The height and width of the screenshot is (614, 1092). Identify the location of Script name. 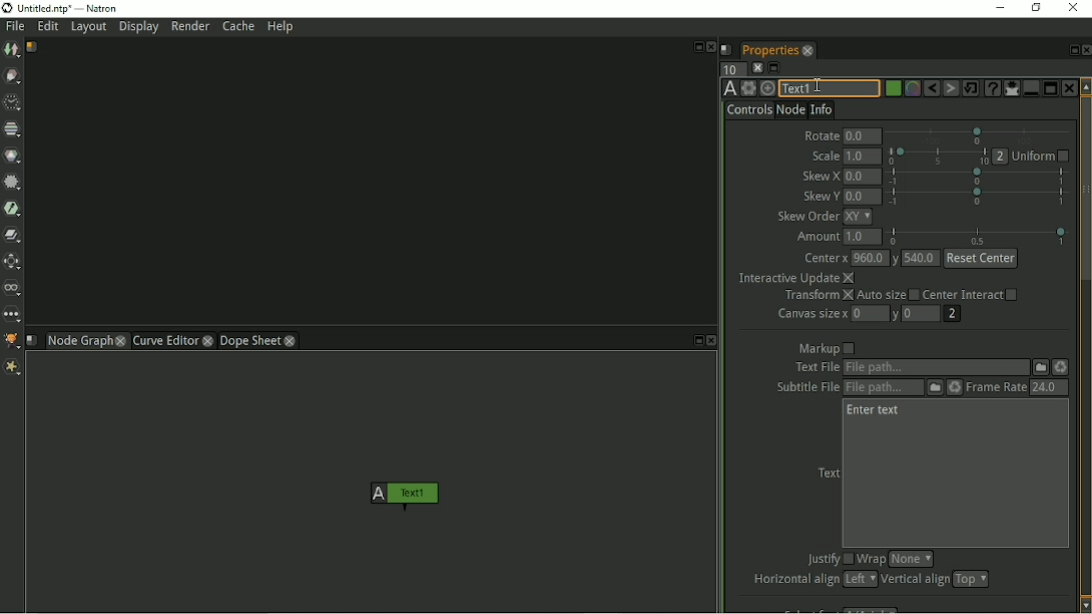
(33, 47).